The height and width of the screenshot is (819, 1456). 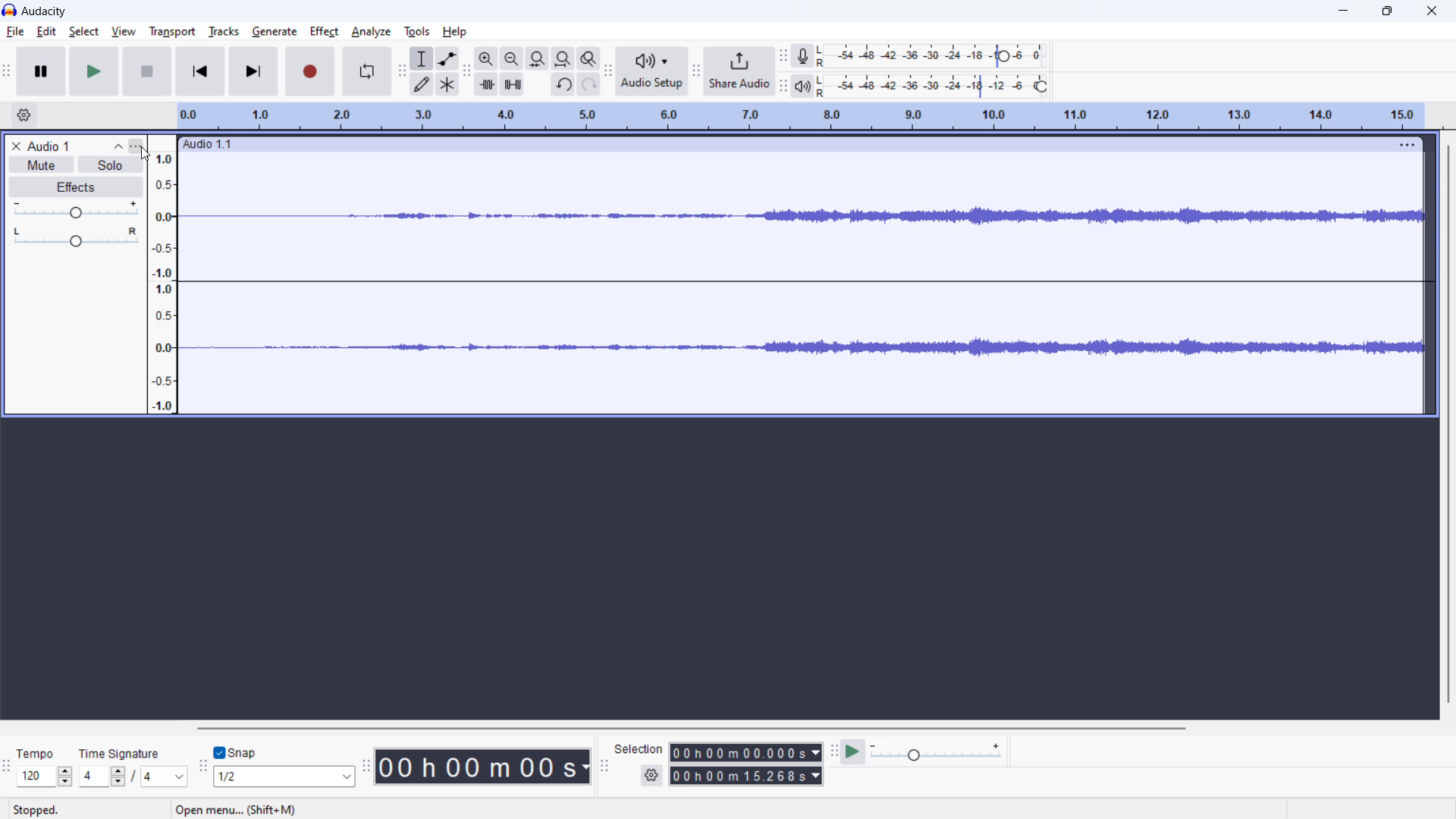 I want to click on selection toolbar, so click(x=603, y=766).